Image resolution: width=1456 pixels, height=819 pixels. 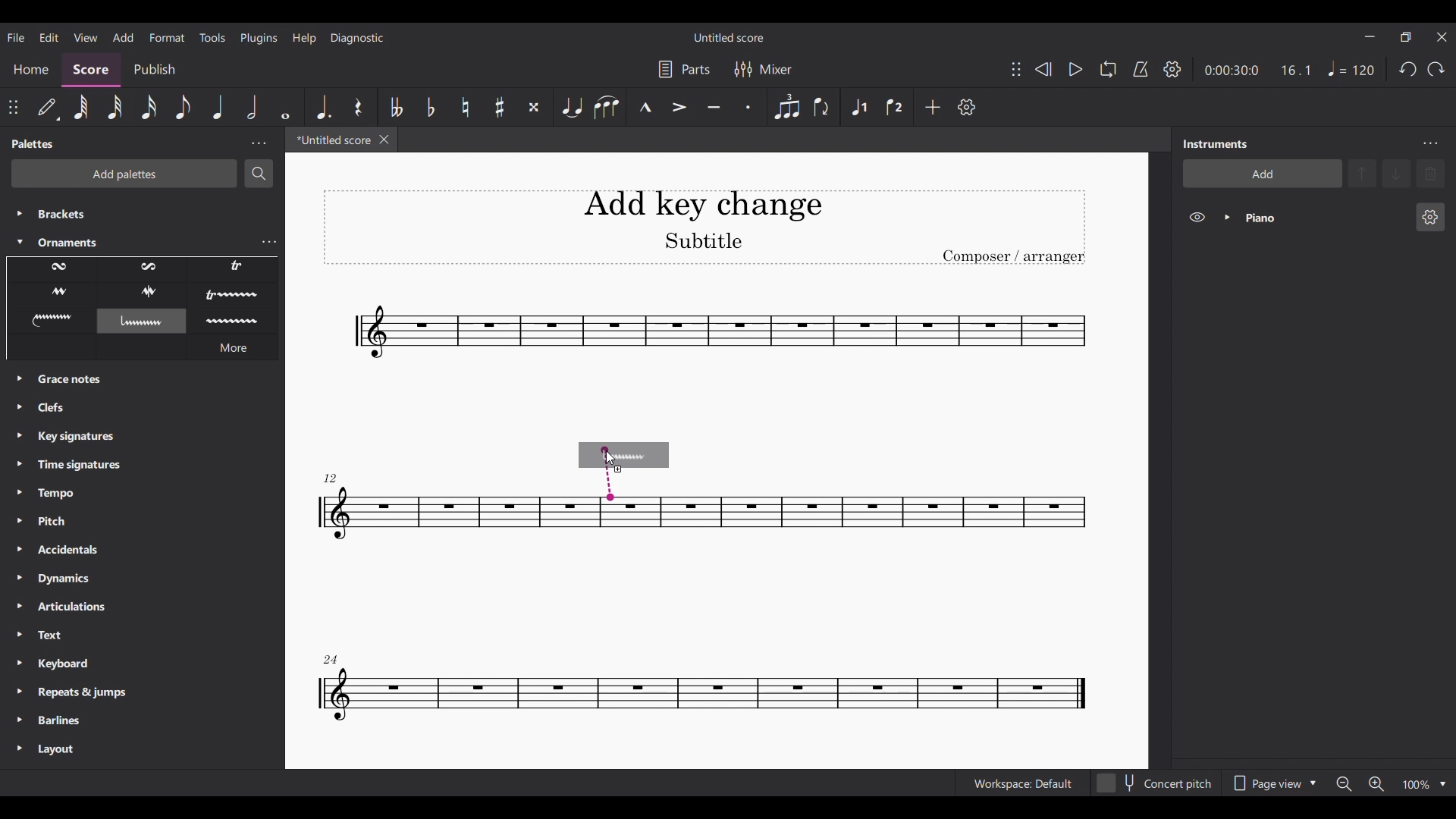 What do you see at coordinates (824, 107) in the screenshot?
I see `Flip direction` at bounding box center [824, 107].